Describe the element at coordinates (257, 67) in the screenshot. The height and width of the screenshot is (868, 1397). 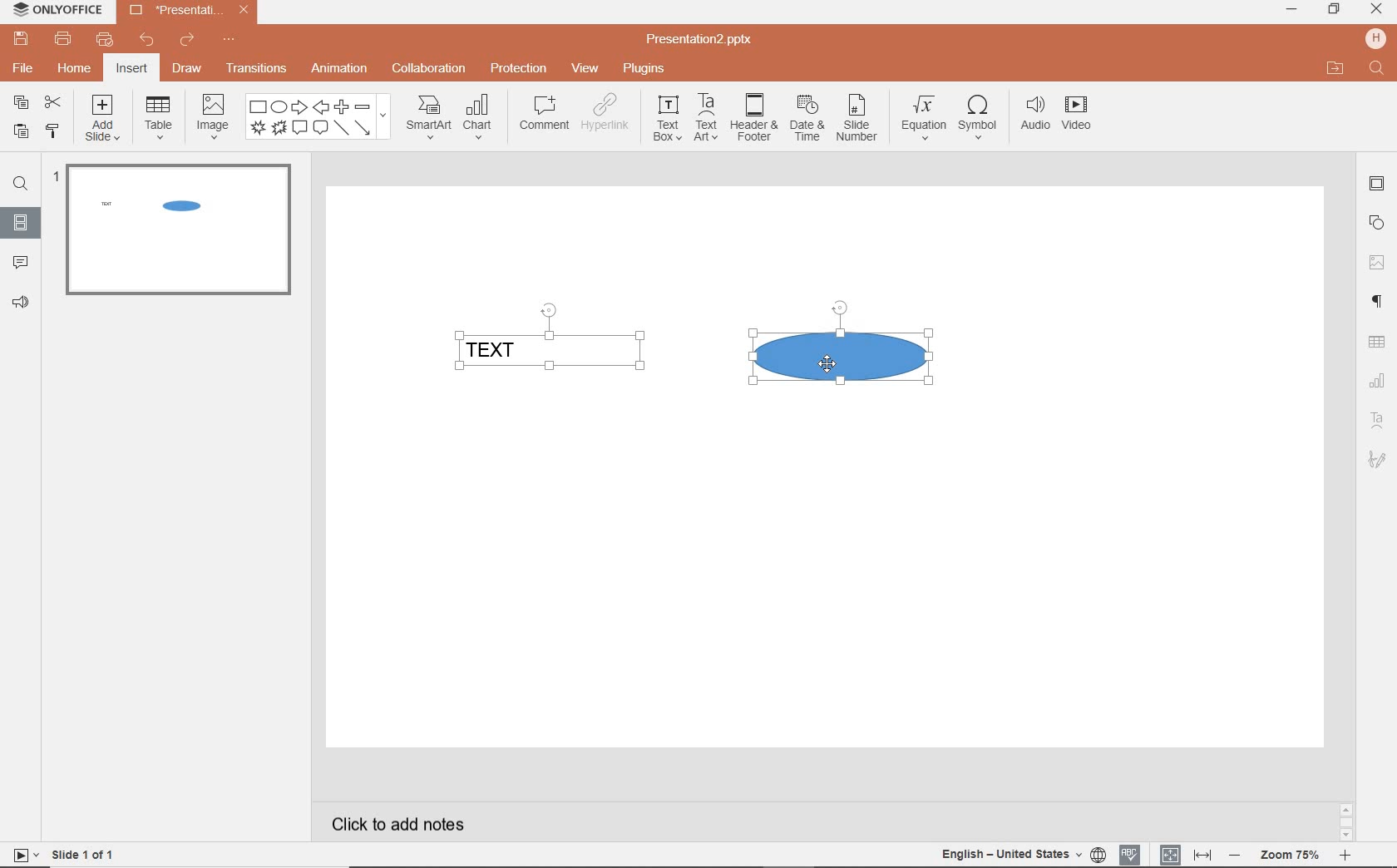
I see `transitions` at that location.